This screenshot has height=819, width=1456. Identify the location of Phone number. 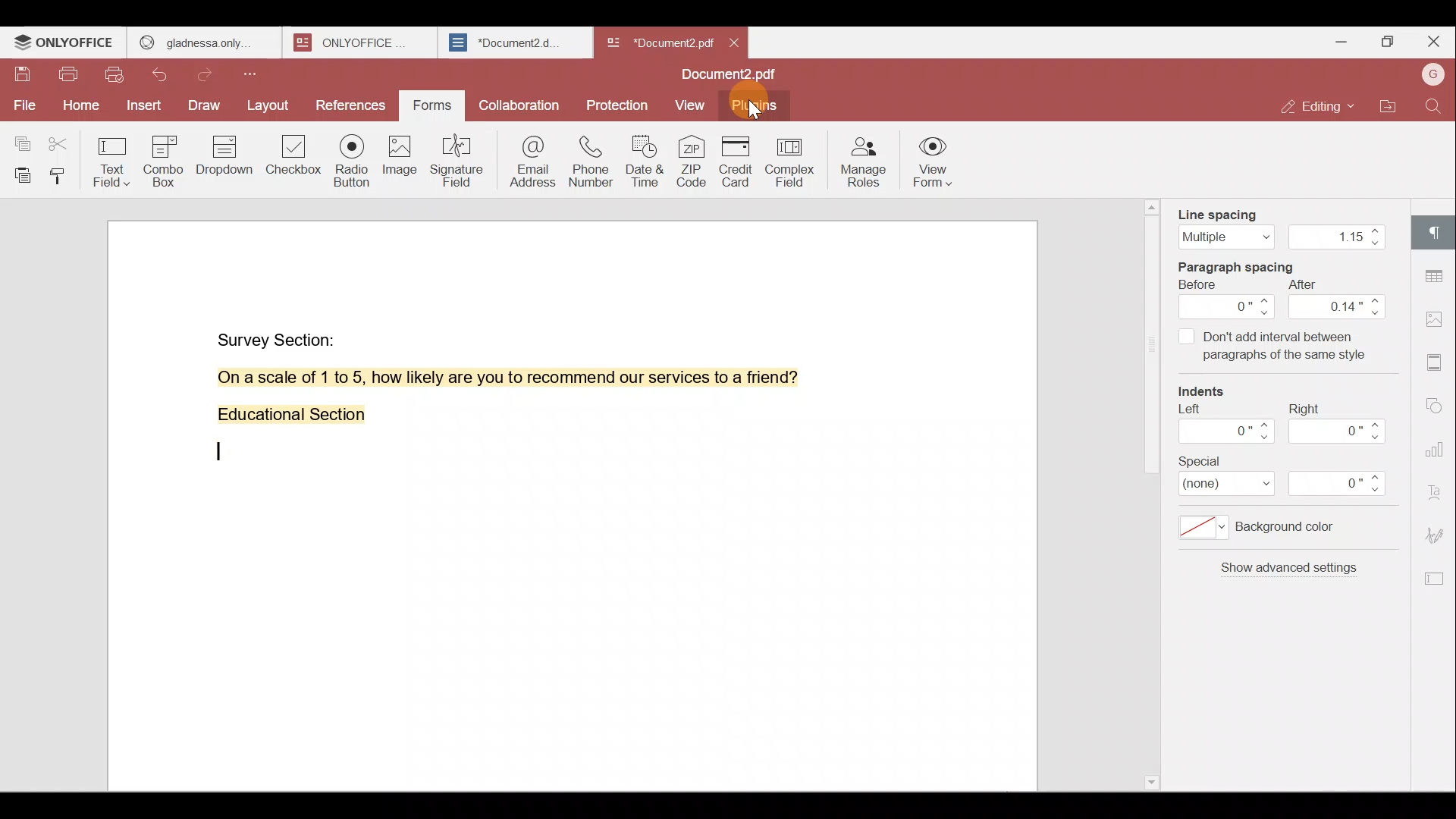
(588, 156).